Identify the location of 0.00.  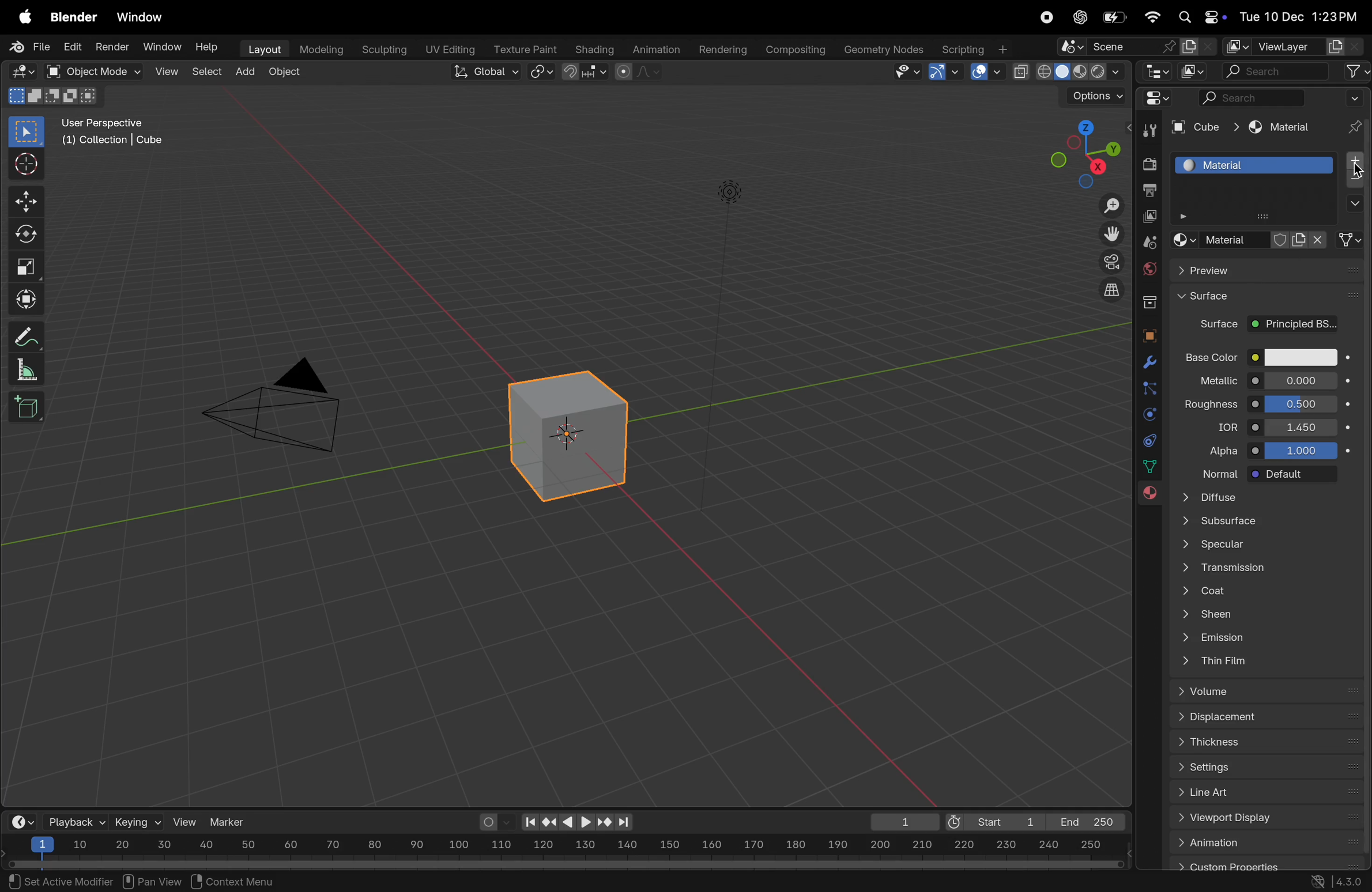
(1302, 380).